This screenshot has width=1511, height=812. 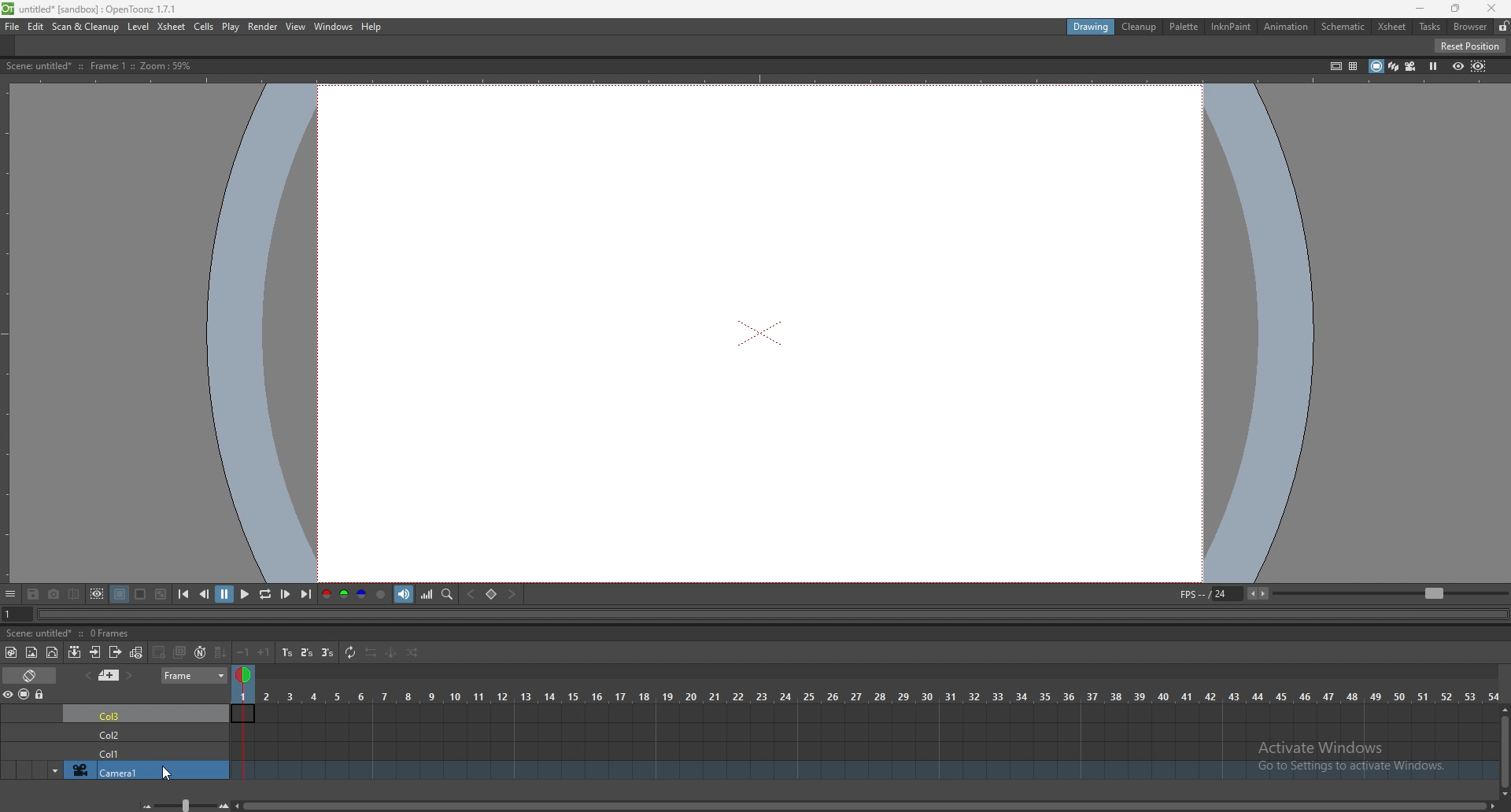 I want to click on pause, so click(x=225, y=594).